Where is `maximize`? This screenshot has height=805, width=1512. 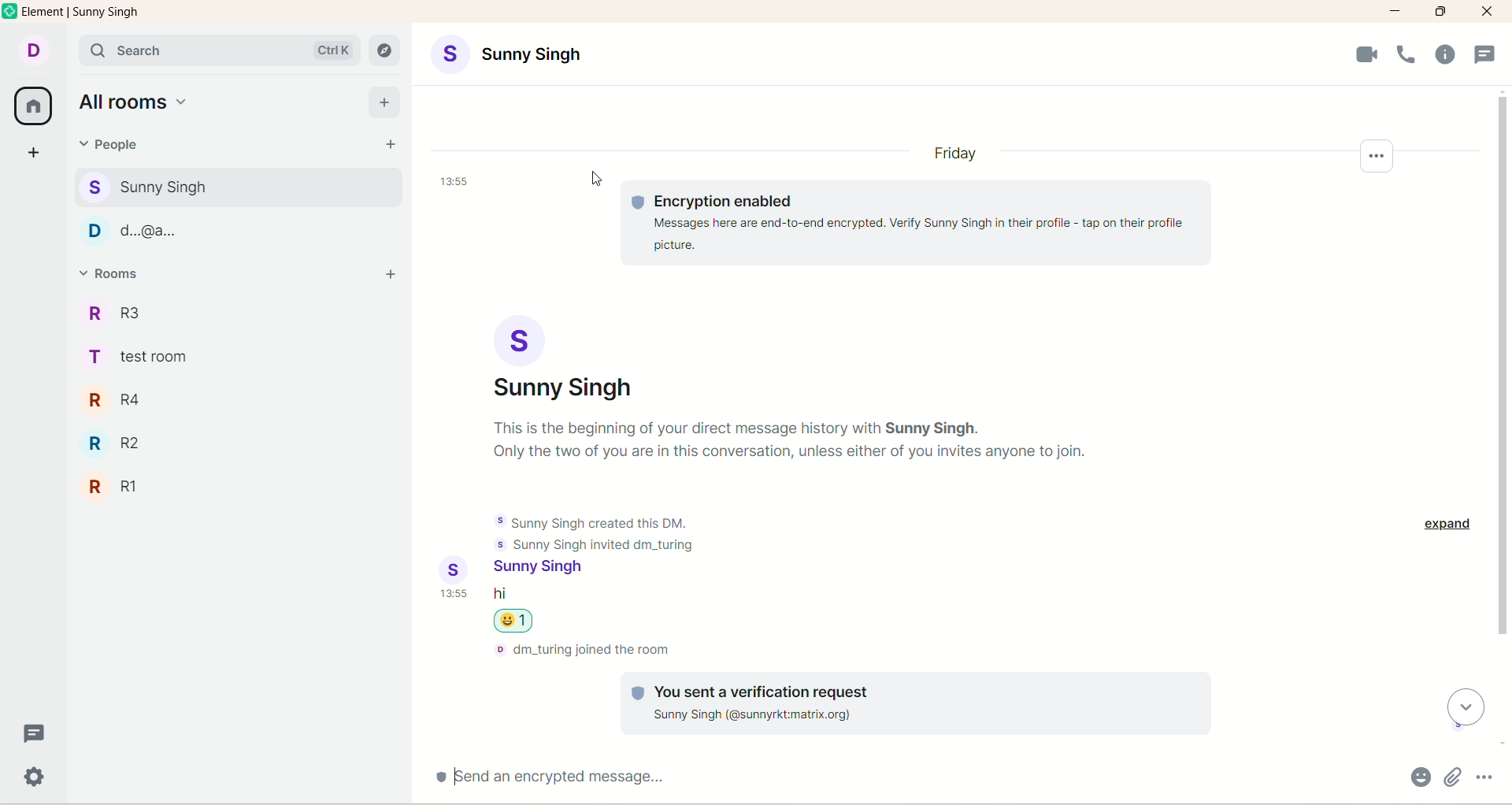 maximize is located at coordinates (1440, 12).